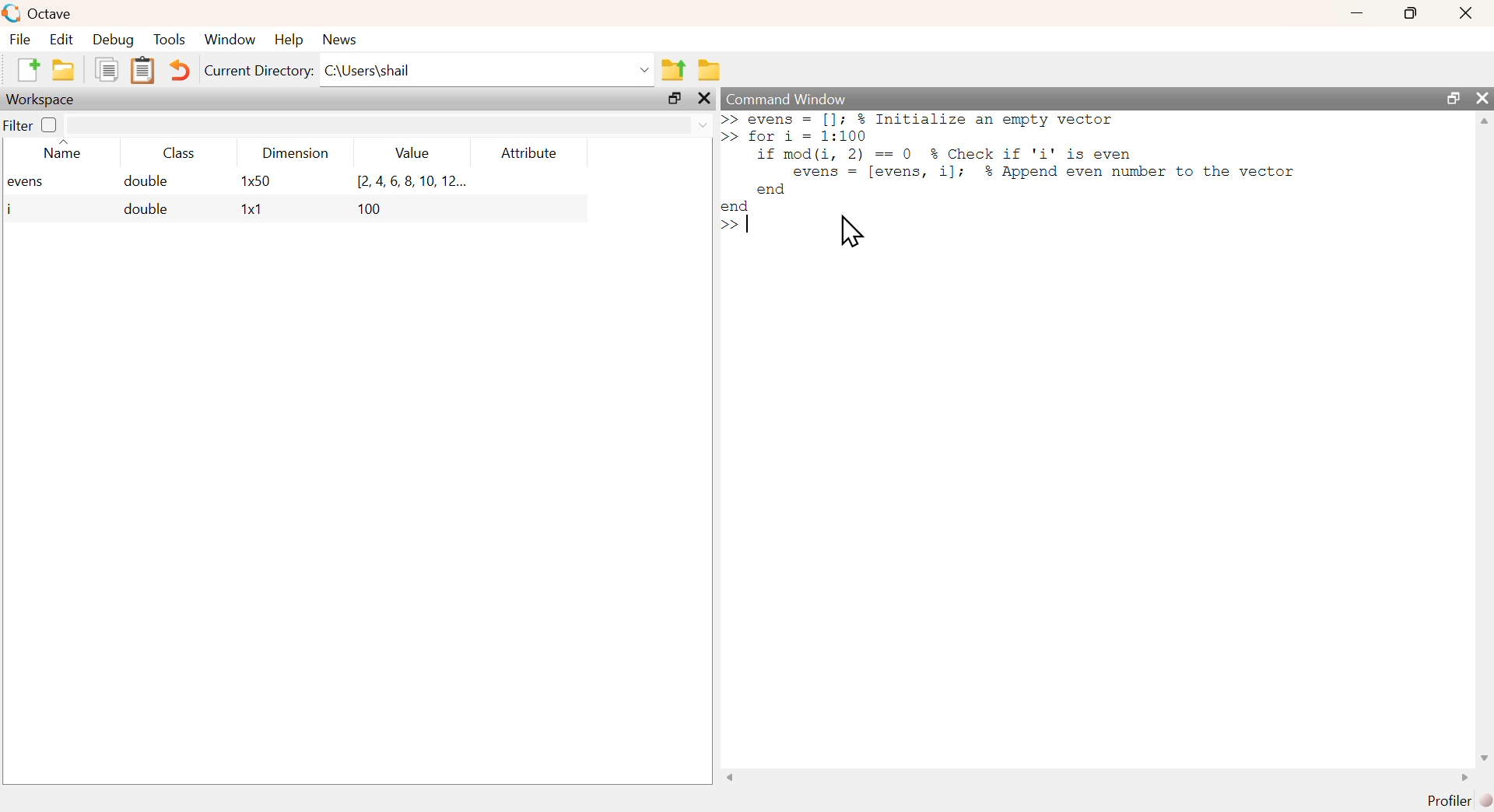 The width and height of the screenshot is (1494, 812). I want to click on text cursor, so click(751, 225).